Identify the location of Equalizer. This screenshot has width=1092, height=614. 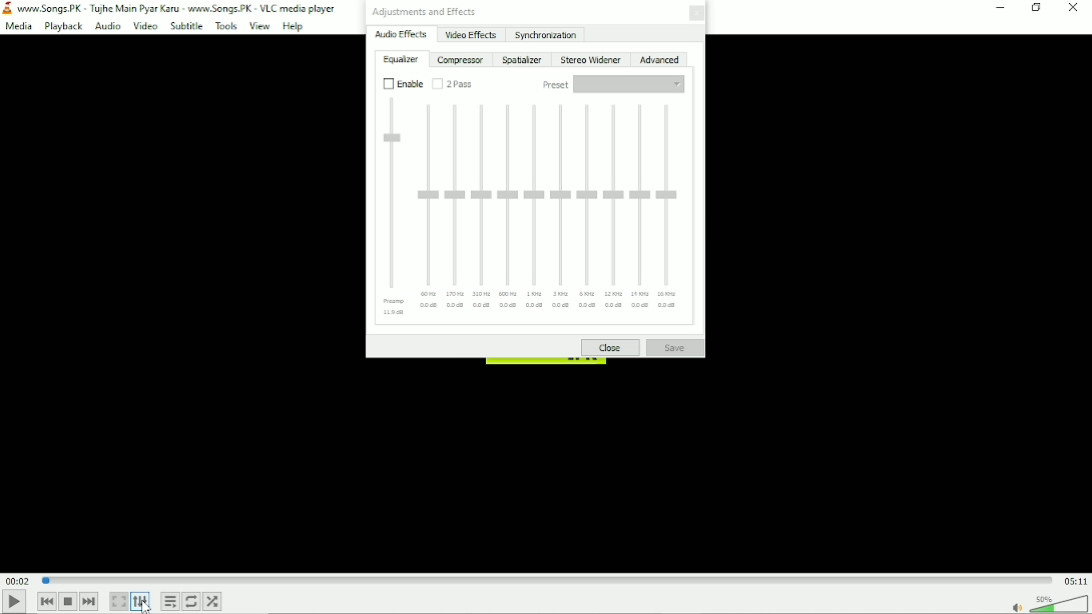
(532, 208).